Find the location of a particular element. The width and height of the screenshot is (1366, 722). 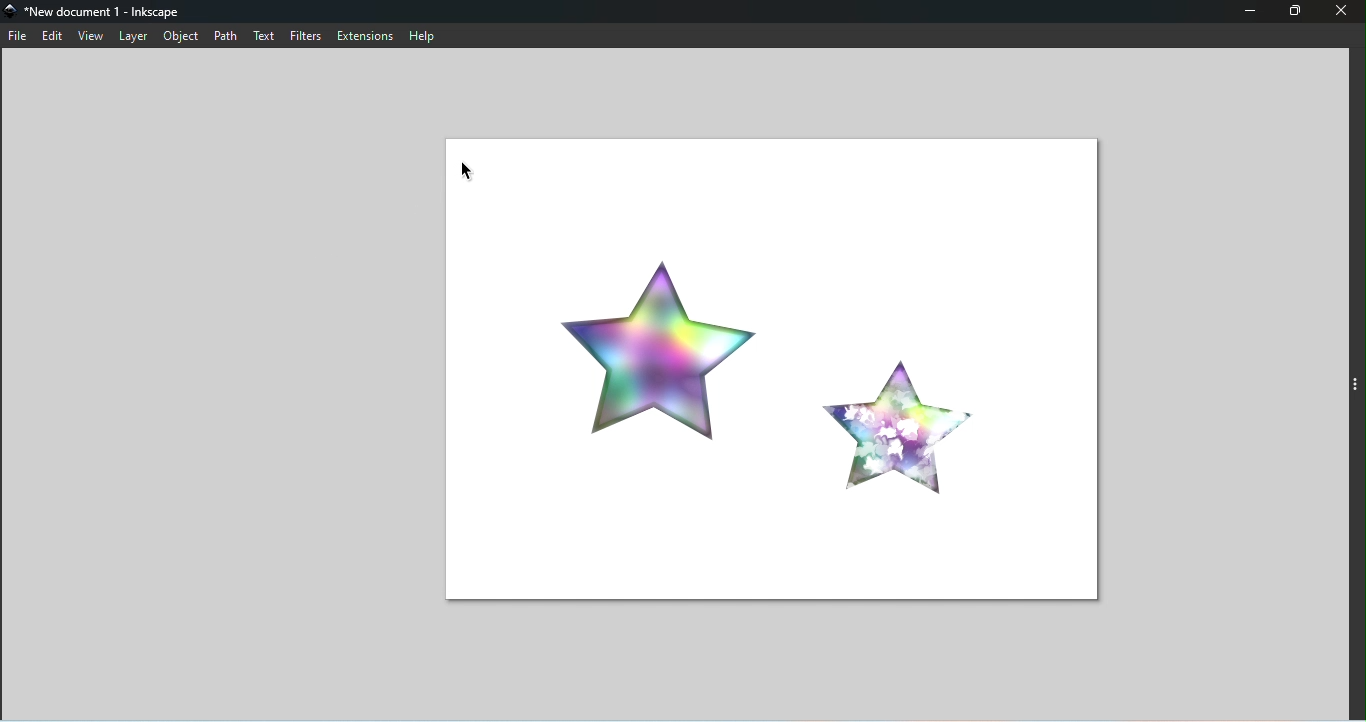

View is located at coordinates (91, 36).